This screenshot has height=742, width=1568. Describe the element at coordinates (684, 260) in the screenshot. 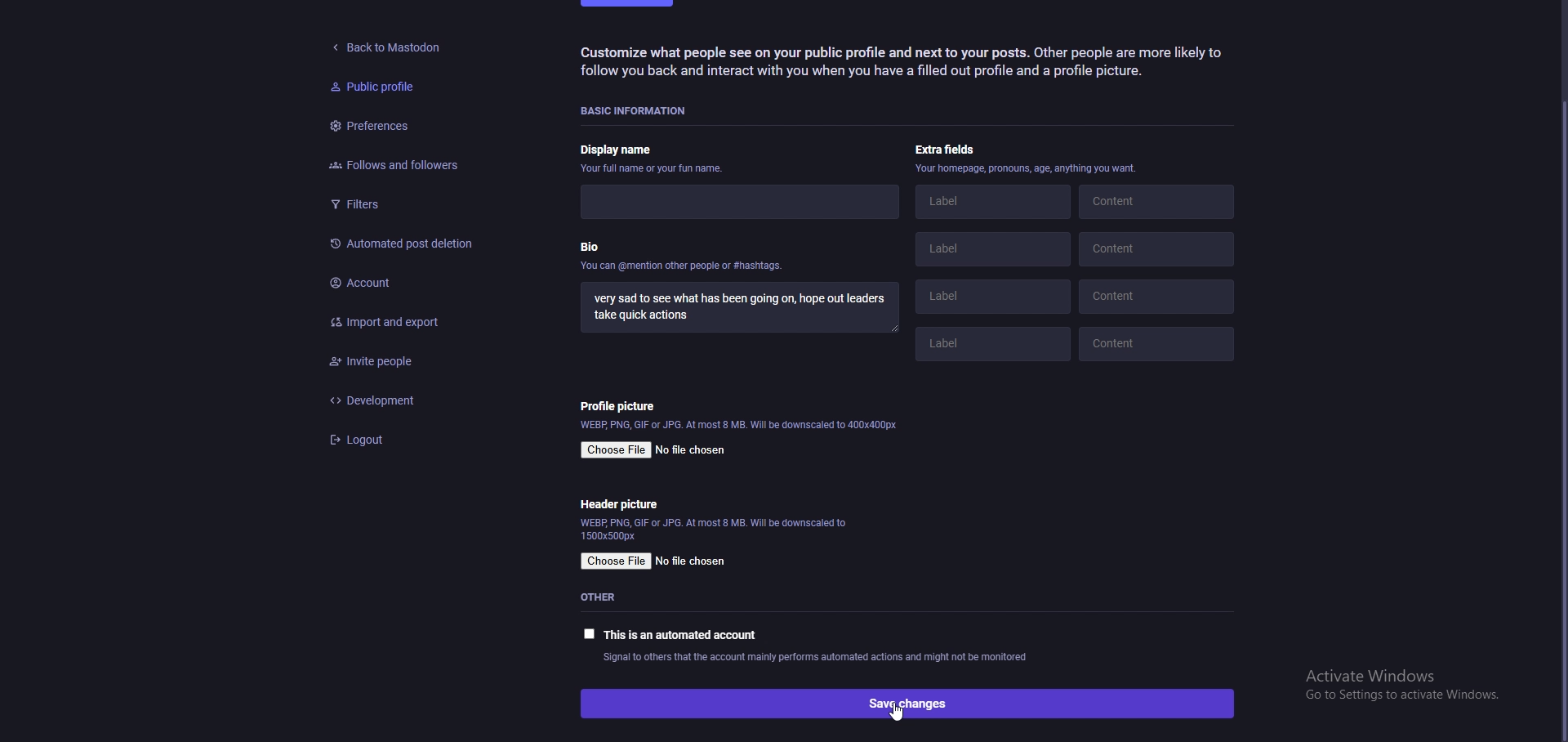

I see `bio` at that location.